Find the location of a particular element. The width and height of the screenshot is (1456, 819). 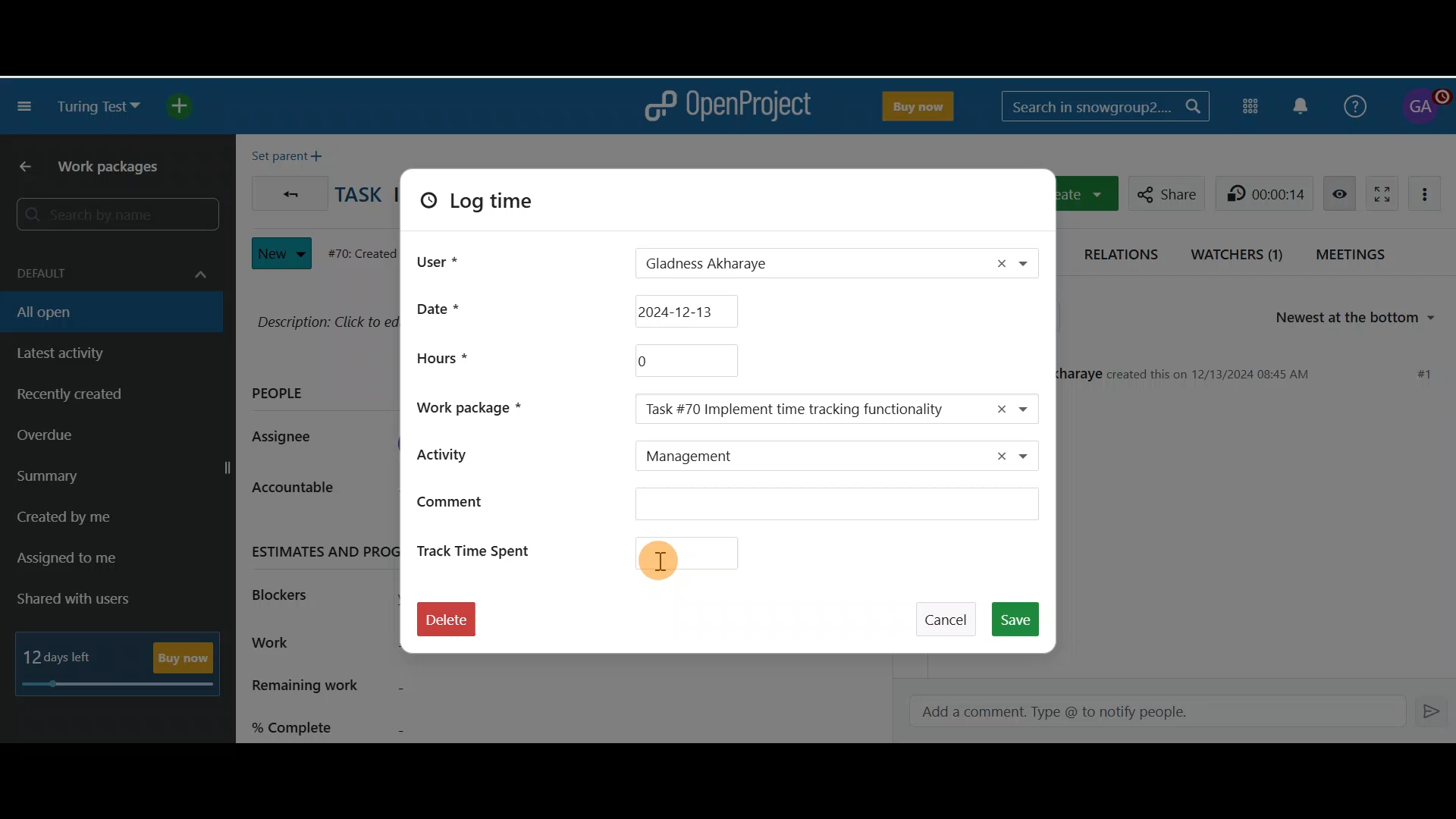

Remove is located at coordinates (993, 457).